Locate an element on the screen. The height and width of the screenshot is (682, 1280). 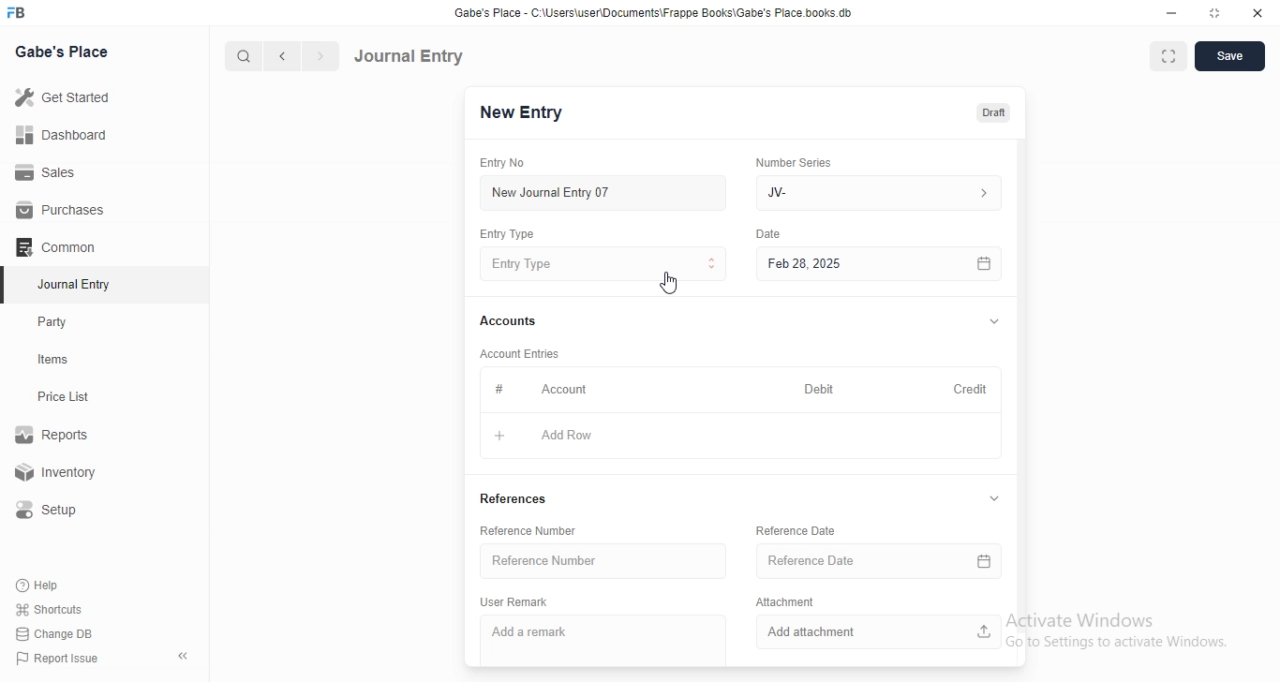
Debit is located at coordinates (815, 387).